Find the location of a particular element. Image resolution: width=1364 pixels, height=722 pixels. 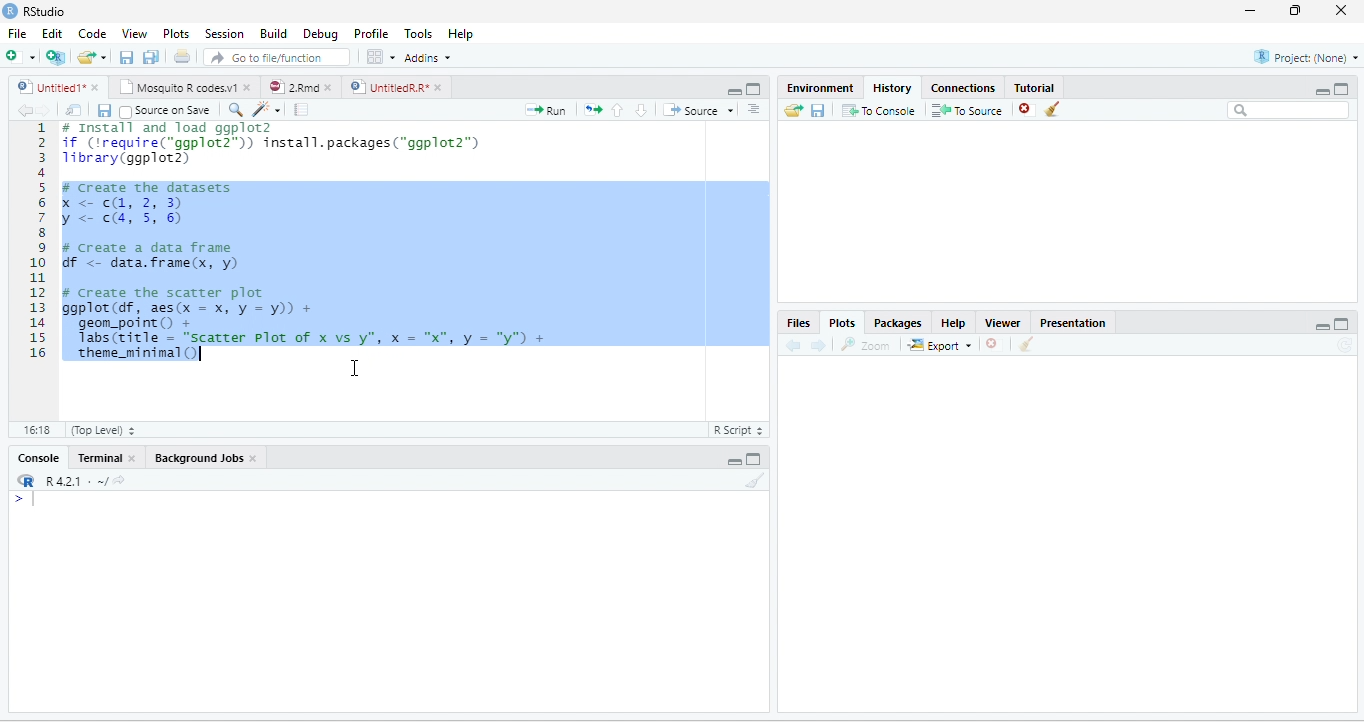

Tools is located at coordinates (419, 33).